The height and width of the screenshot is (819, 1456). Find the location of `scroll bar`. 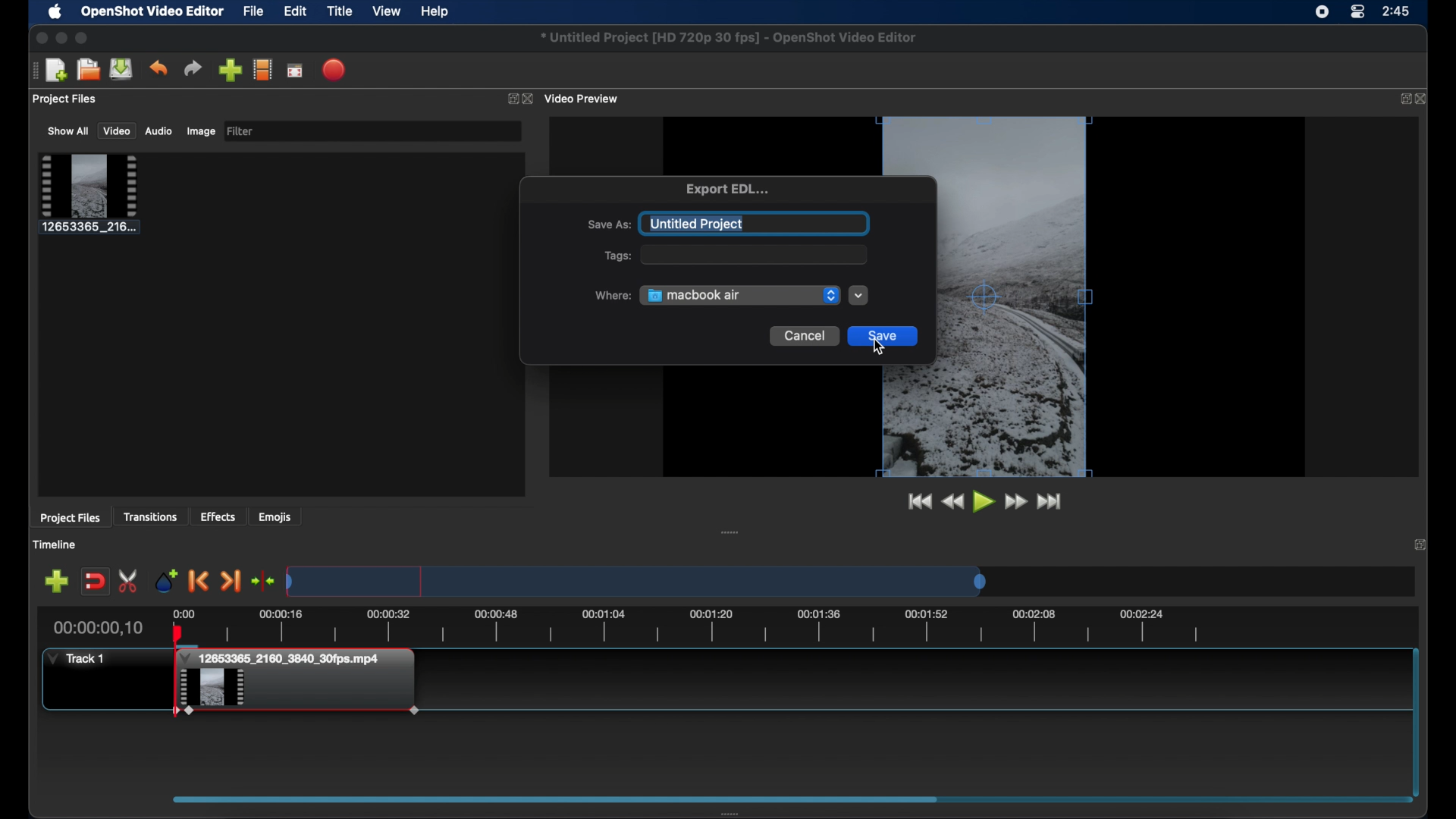

scroll bar is located at coordinates (1415, 719).